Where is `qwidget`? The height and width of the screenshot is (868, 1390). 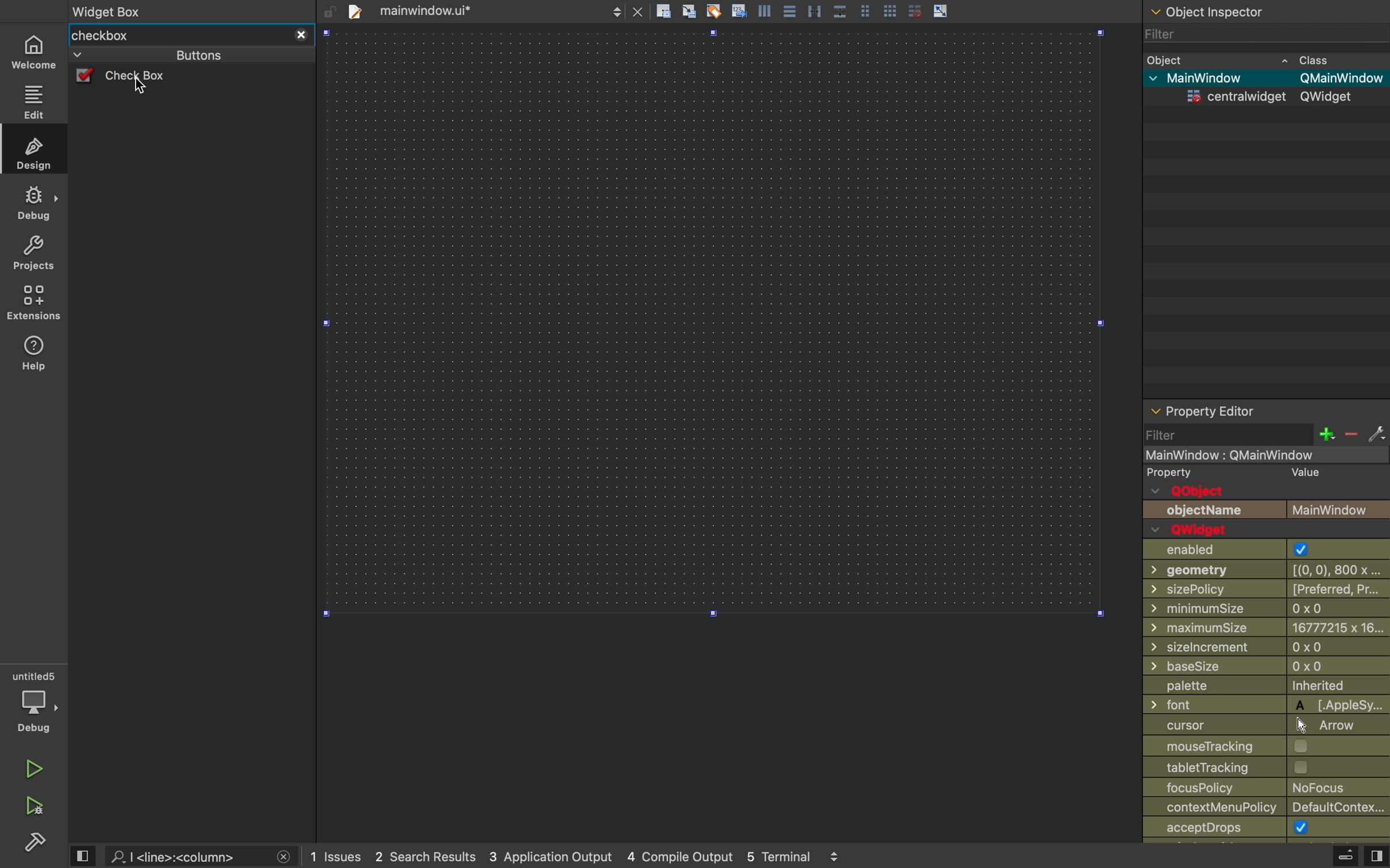
qwidget is located at coordinates (1198, 530).